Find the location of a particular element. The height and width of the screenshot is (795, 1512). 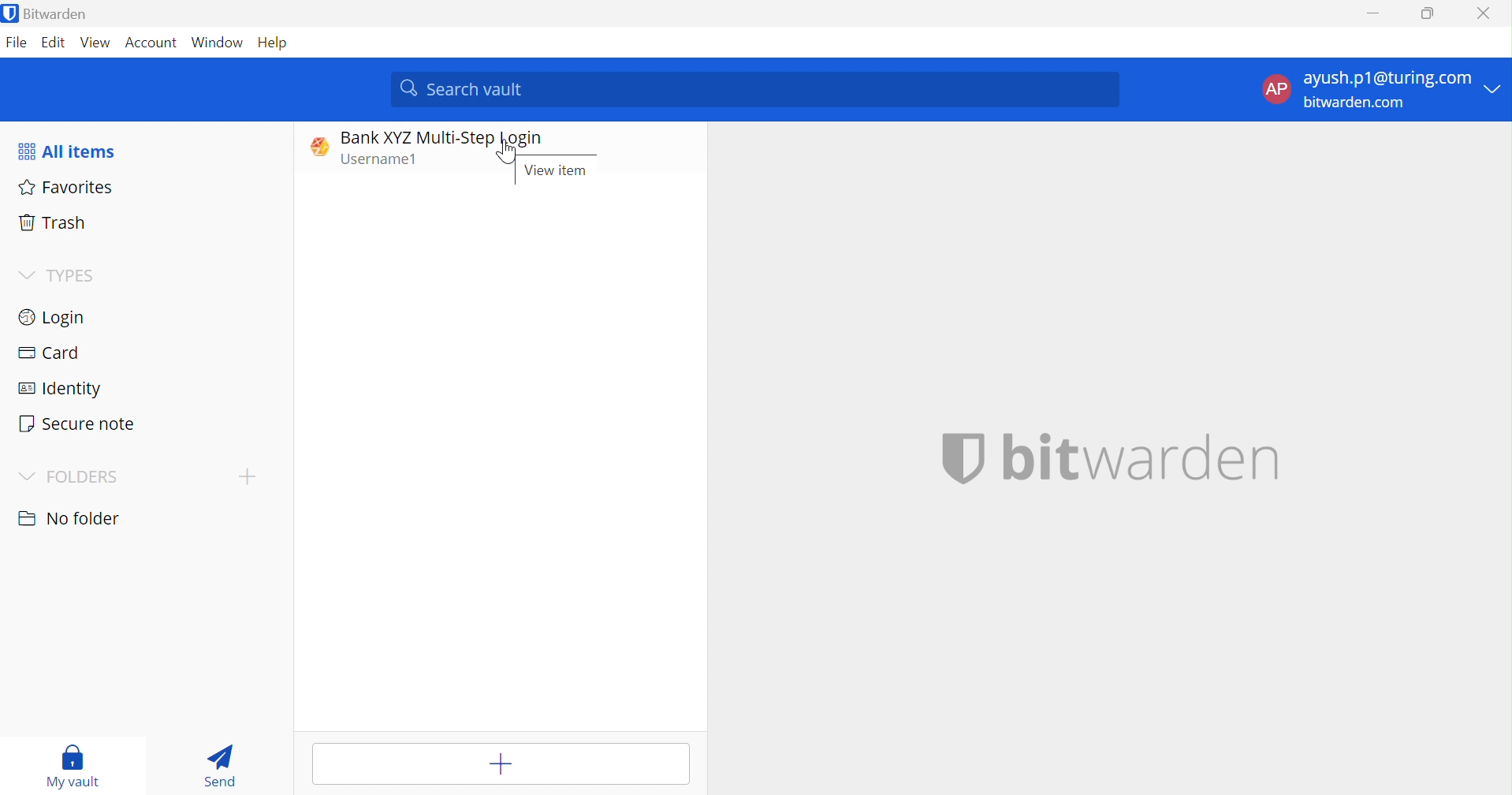

cursor is located at coordinates (507, 157).